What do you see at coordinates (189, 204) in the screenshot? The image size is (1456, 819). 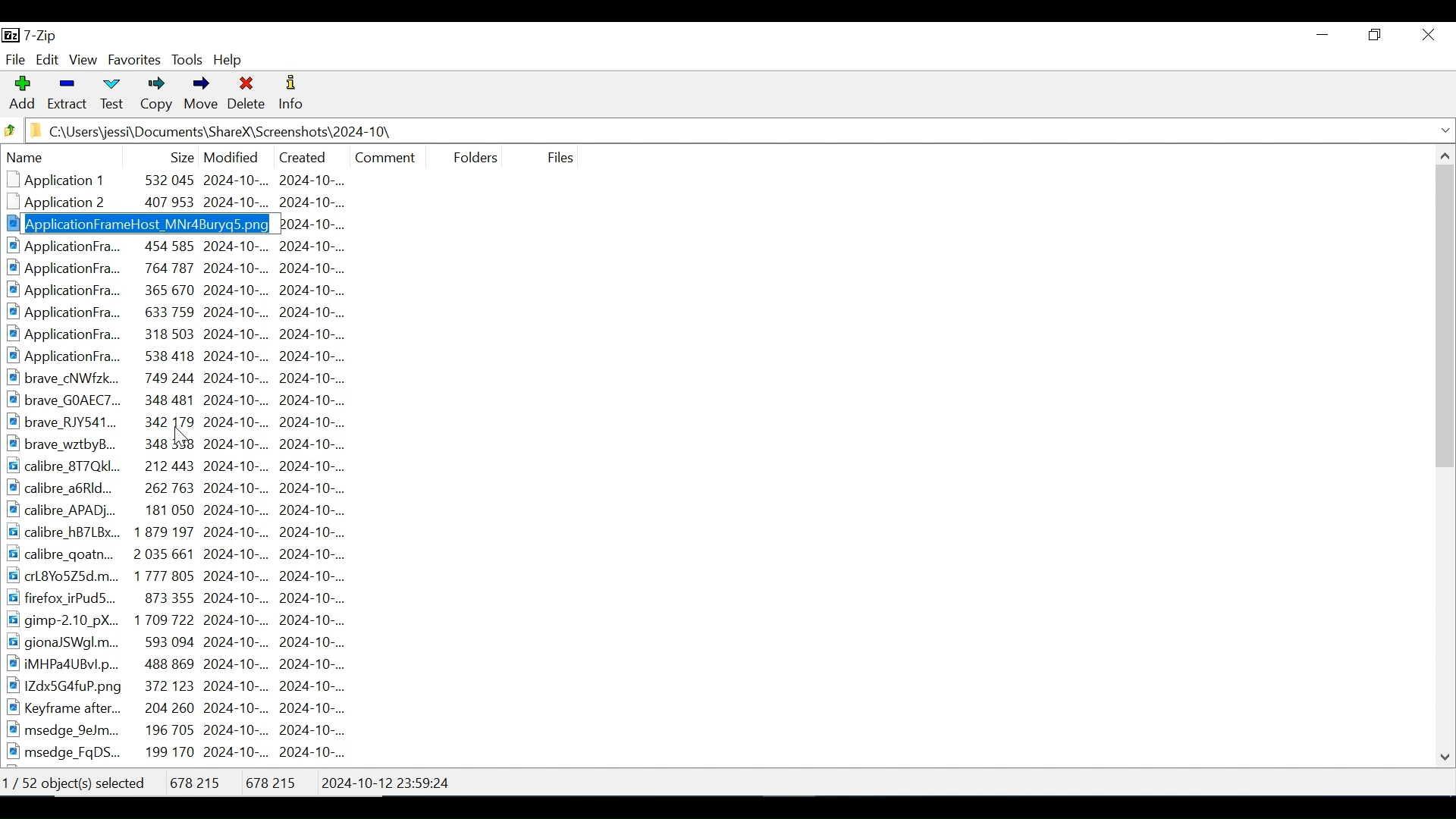 I see ` Application2 ~~ 407 953 2024-10-... 2024-10-...` at bounding box center [189, 204].